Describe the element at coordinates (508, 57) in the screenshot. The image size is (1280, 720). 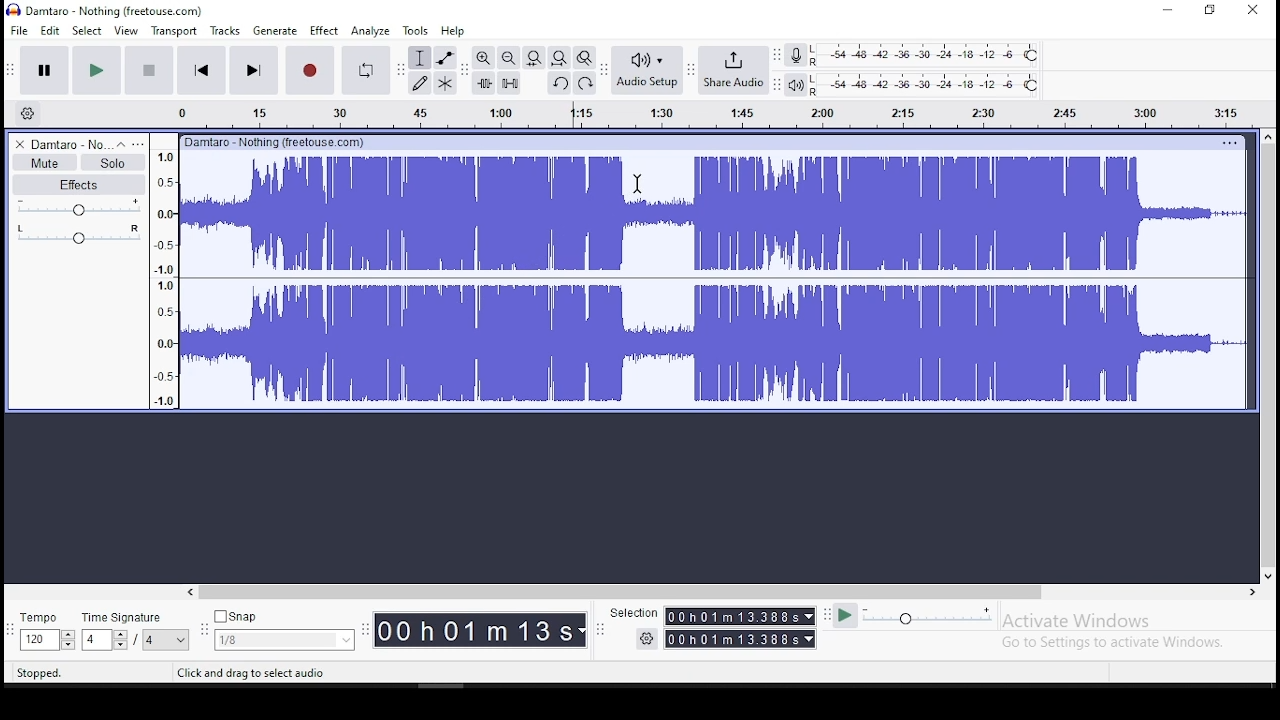
I see `zoom out` at that location.